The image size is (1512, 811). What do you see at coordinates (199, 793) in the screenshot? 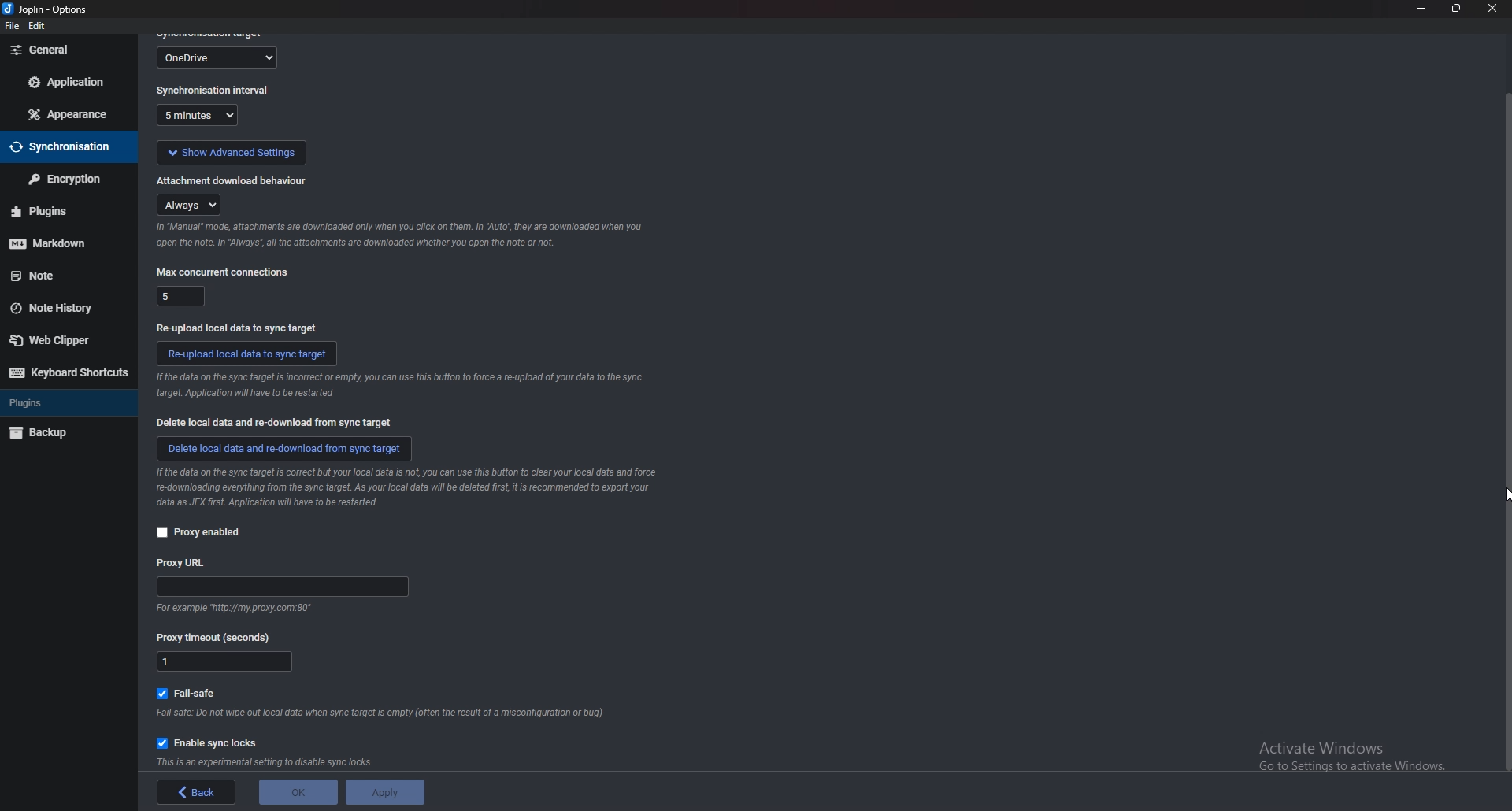
I see `back` at bounding box center [199, 793].